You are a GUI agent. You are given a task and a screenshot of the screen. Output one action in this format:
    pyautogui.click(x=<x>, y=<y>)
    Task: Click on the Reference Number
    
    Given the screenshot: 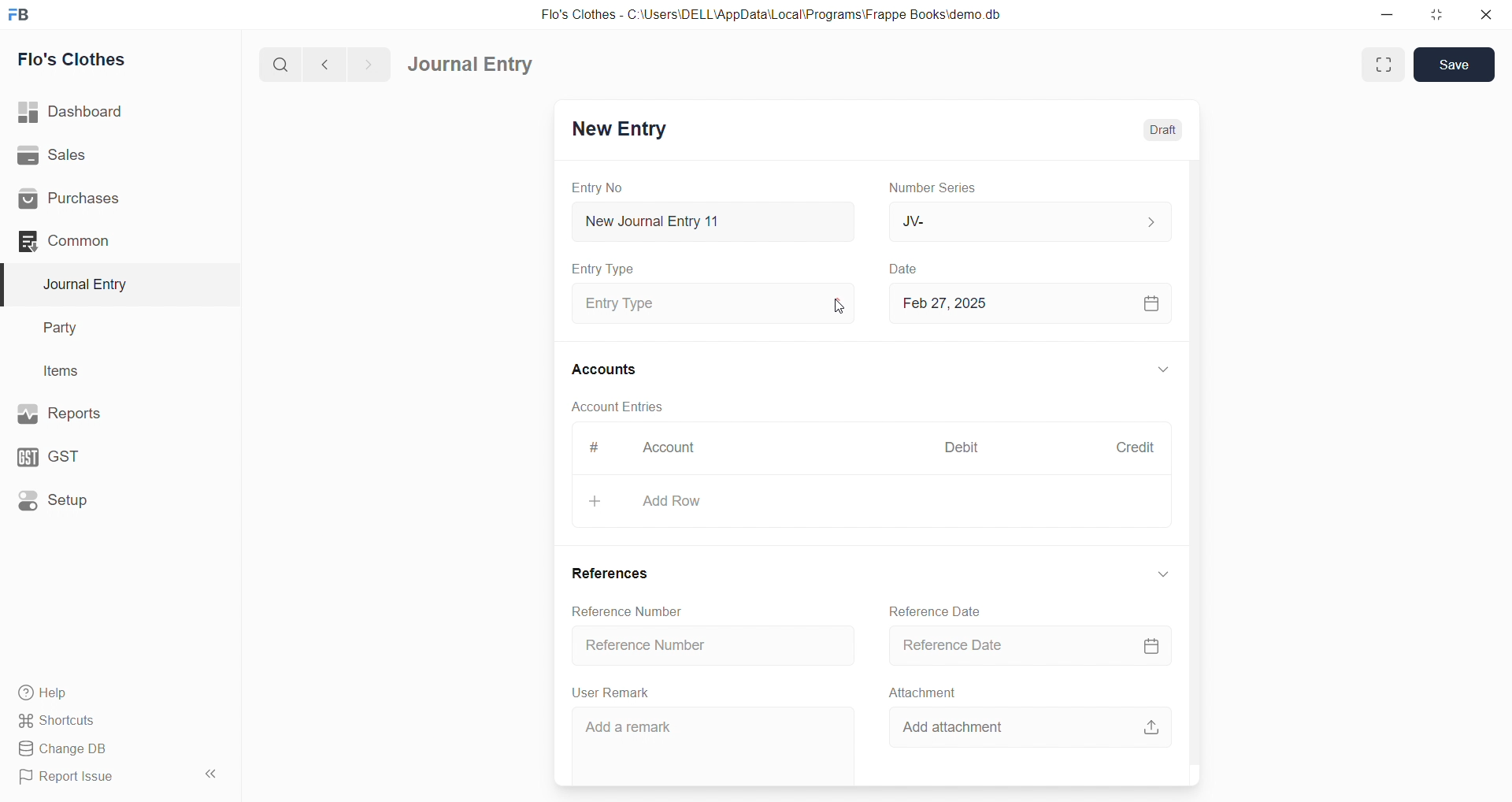 What is the action you would take?
    pyautogui.click(x=628, y=611)
    